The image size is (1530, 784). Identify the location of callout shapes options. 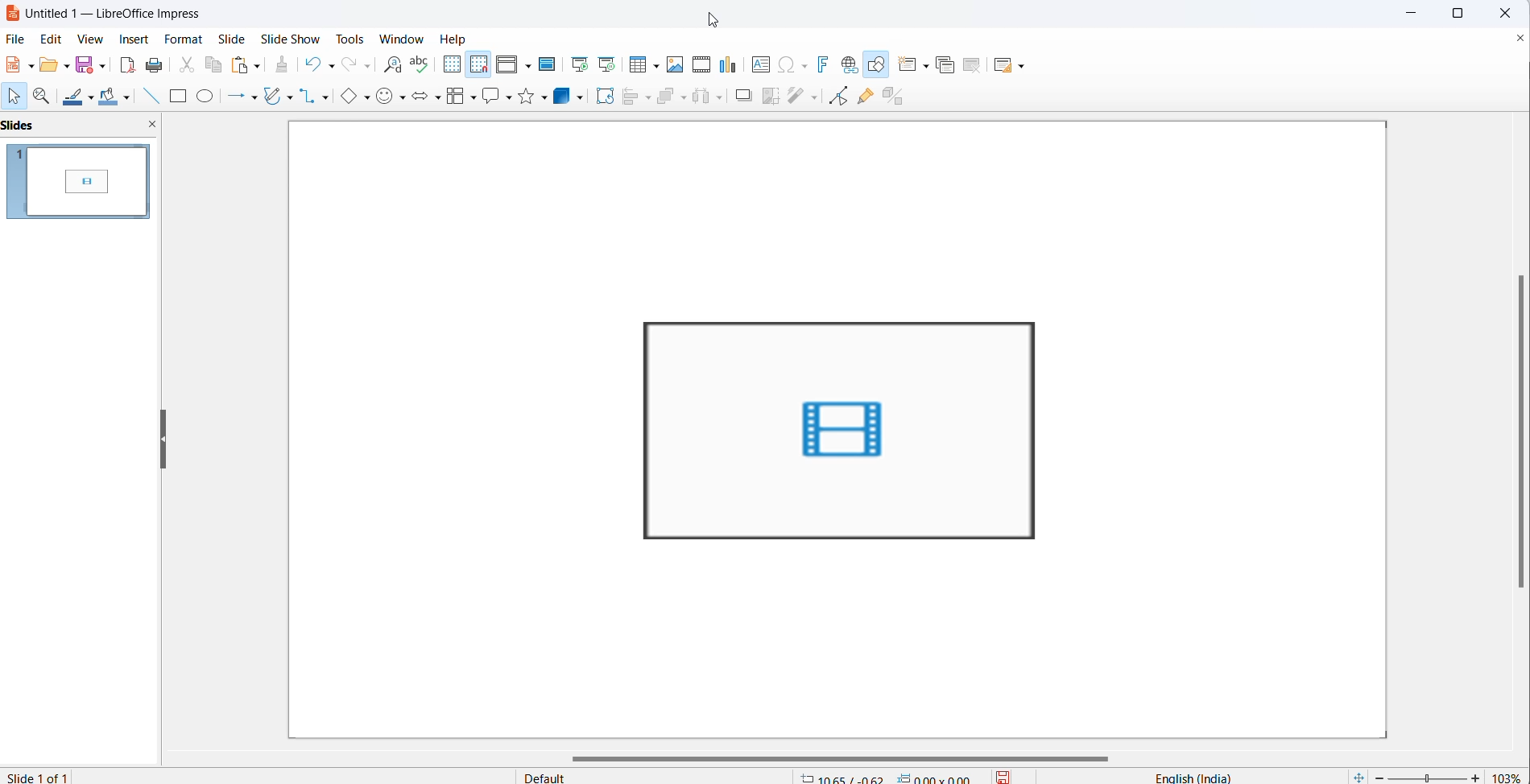
(508, 99).